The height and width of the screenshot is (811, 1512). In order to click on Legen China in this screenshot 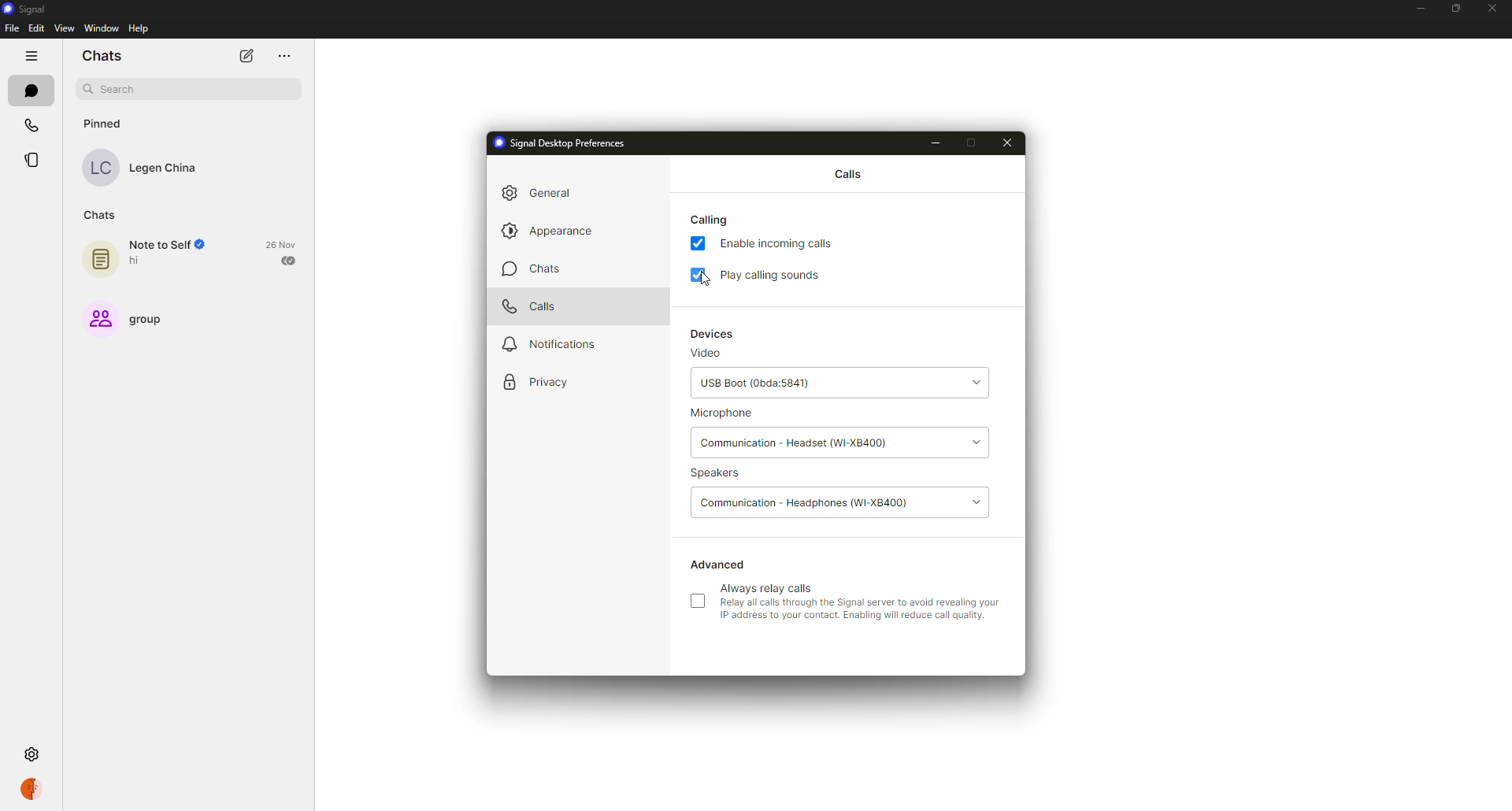, I will do `click(164, 169)`.